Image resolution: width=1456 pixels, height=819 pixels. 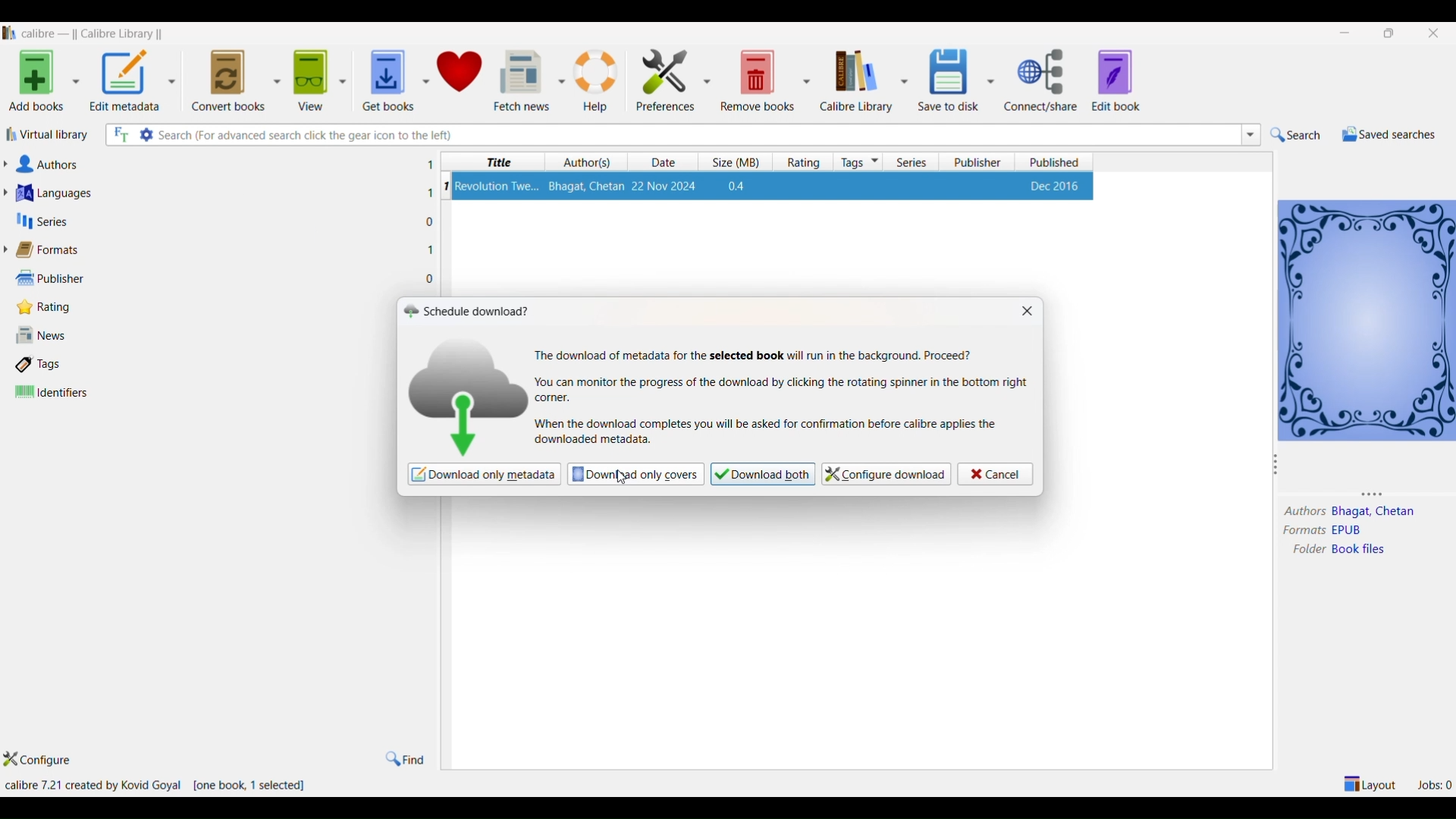 What do you see at coordinates (1366, 318) in the screenshot?
I see `book details window icon` at bounding box center [1366, 318].